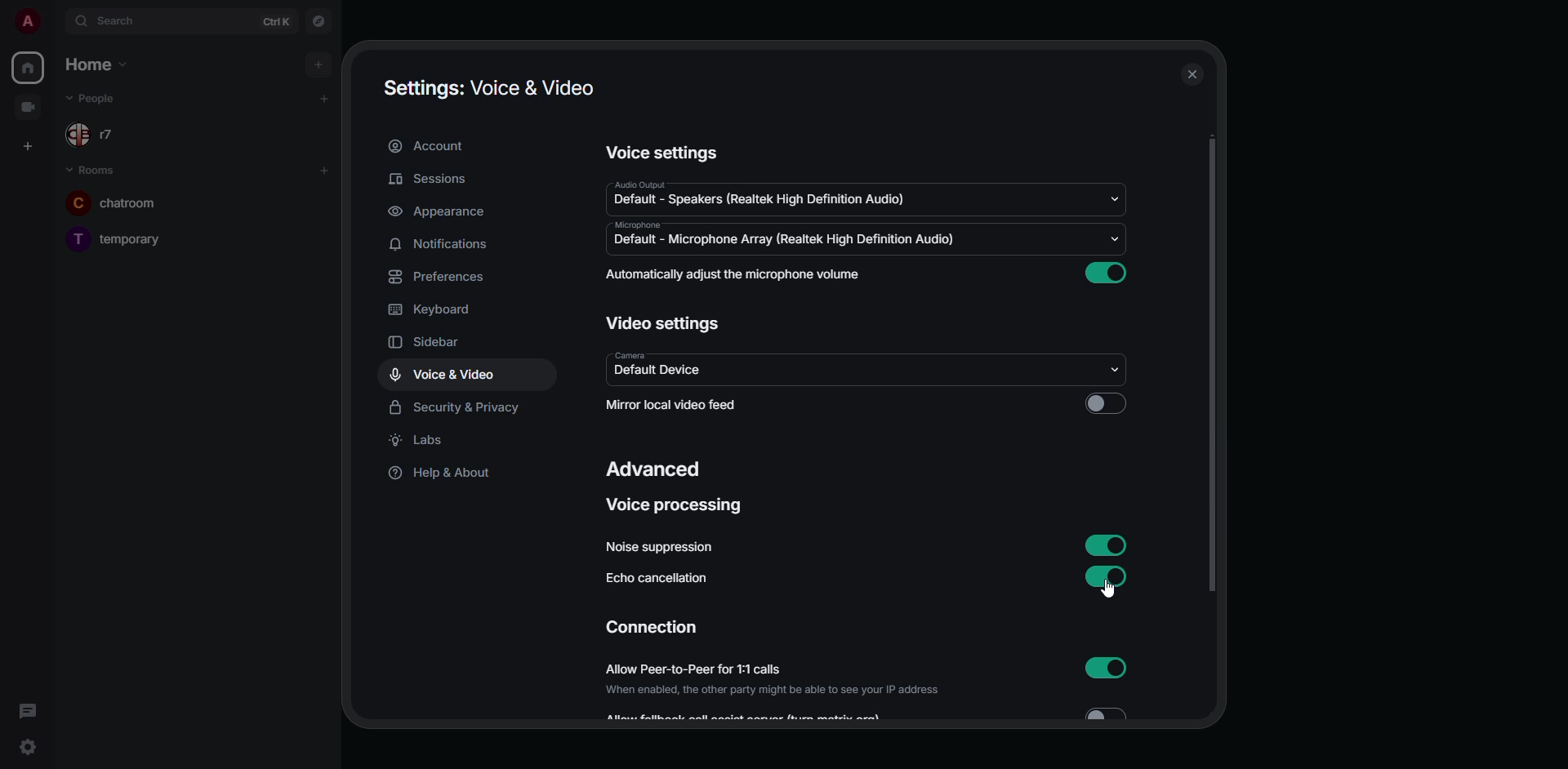 The image size is (1568, 769). What do you see at coordinates (774, 678) in the screenshot?
I see `allow peer-to-peer for 1:1 calls` at bounding box center [774, 678].